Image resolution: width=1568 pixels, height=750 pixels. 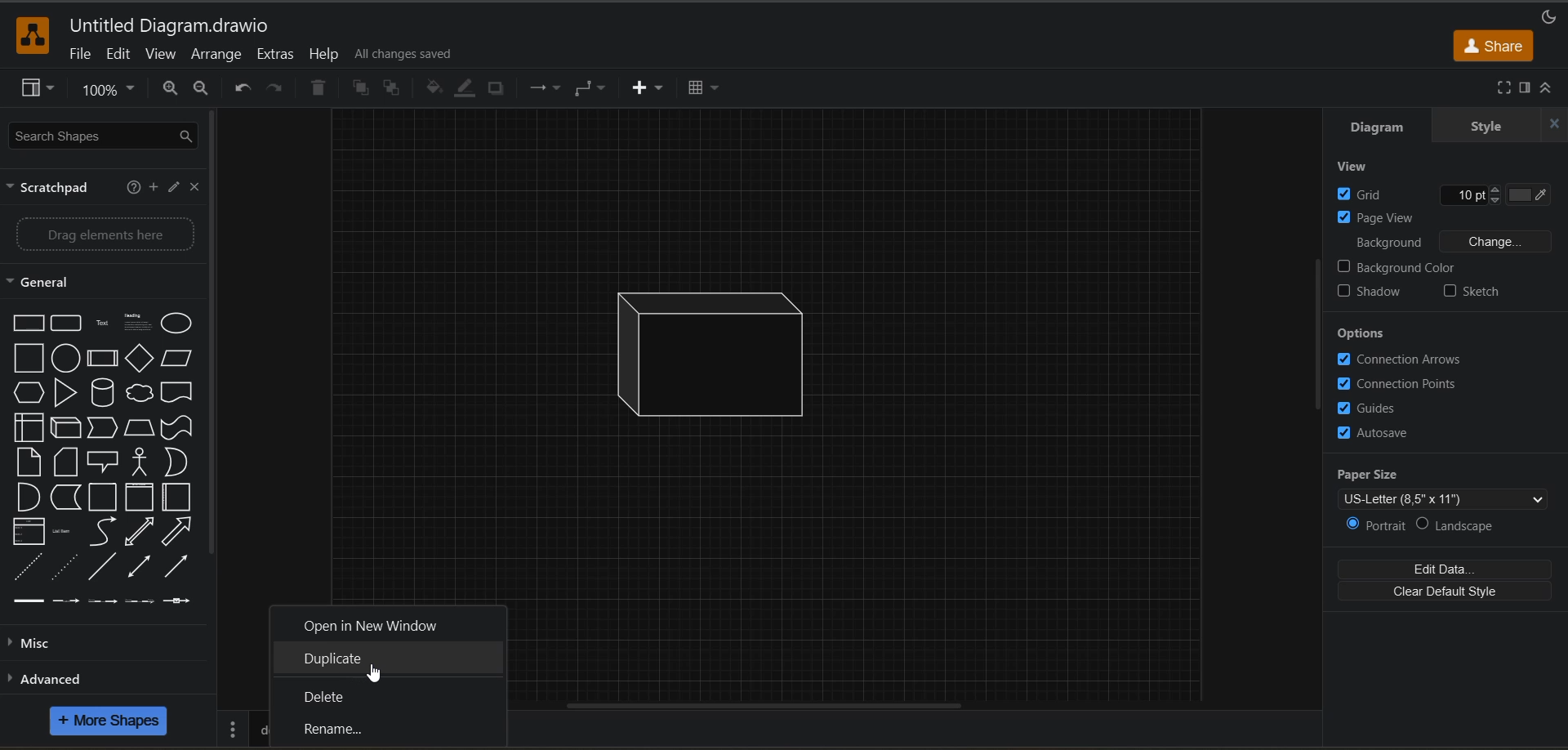 I want to click on waypoints, so click(x=593, y=87).